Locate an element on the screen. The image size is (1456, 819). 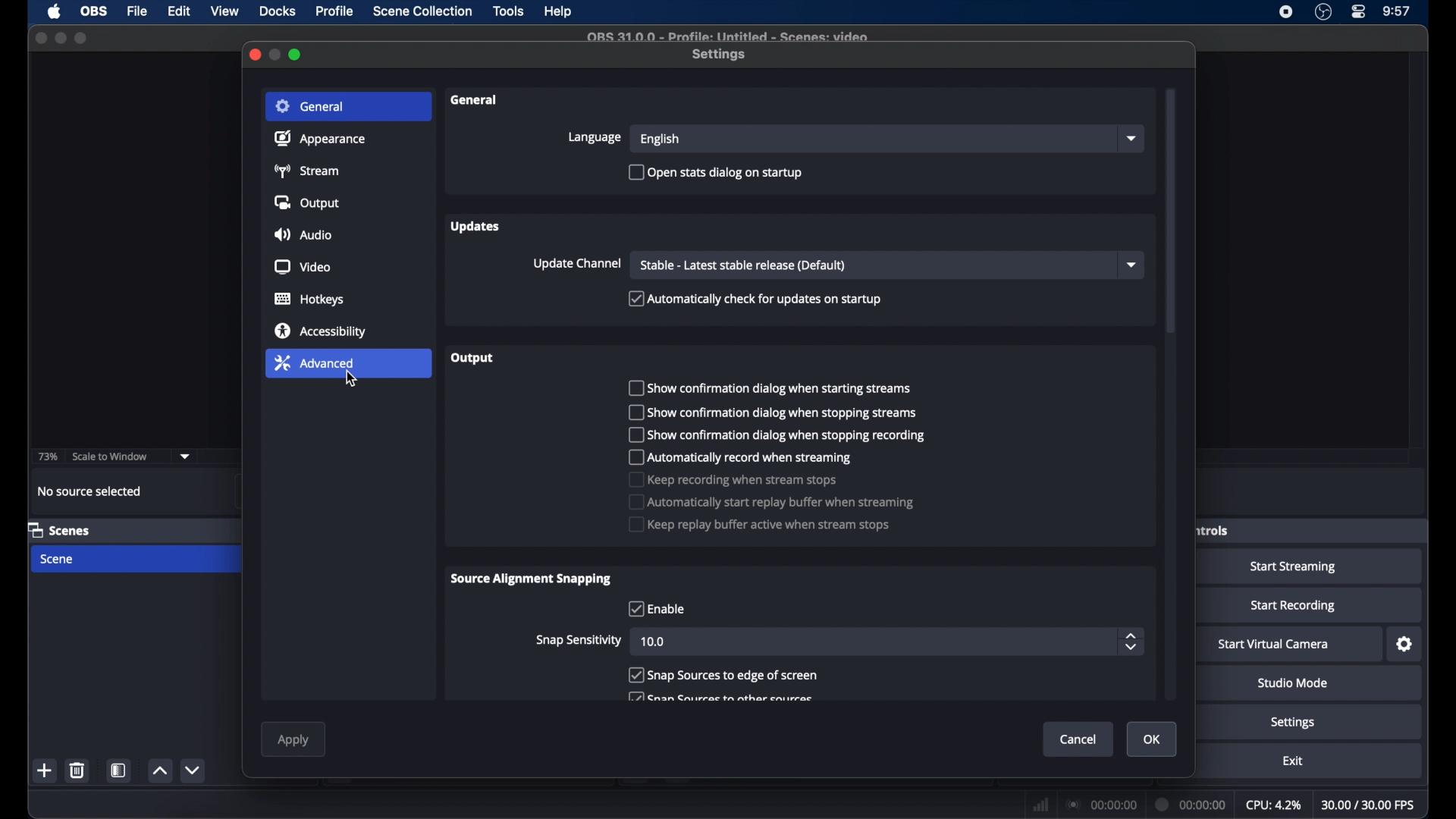
checkbox is located at coordinates (770, 501).